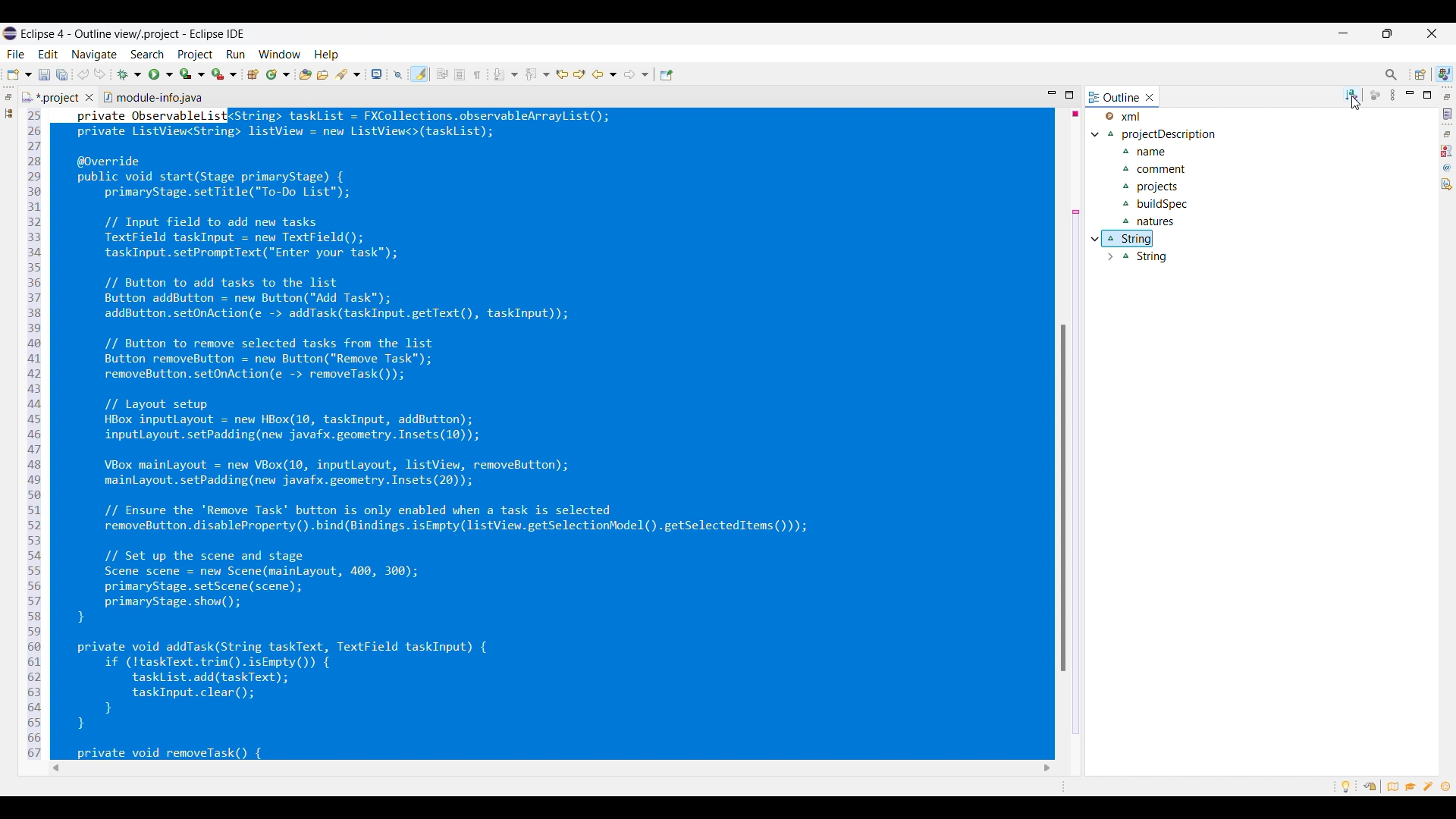 Image resolution: width=1456 pixels, height=819 pixels. Describe the element at coordinates (1131, 237) in the screenshot. I see `string` at that location.